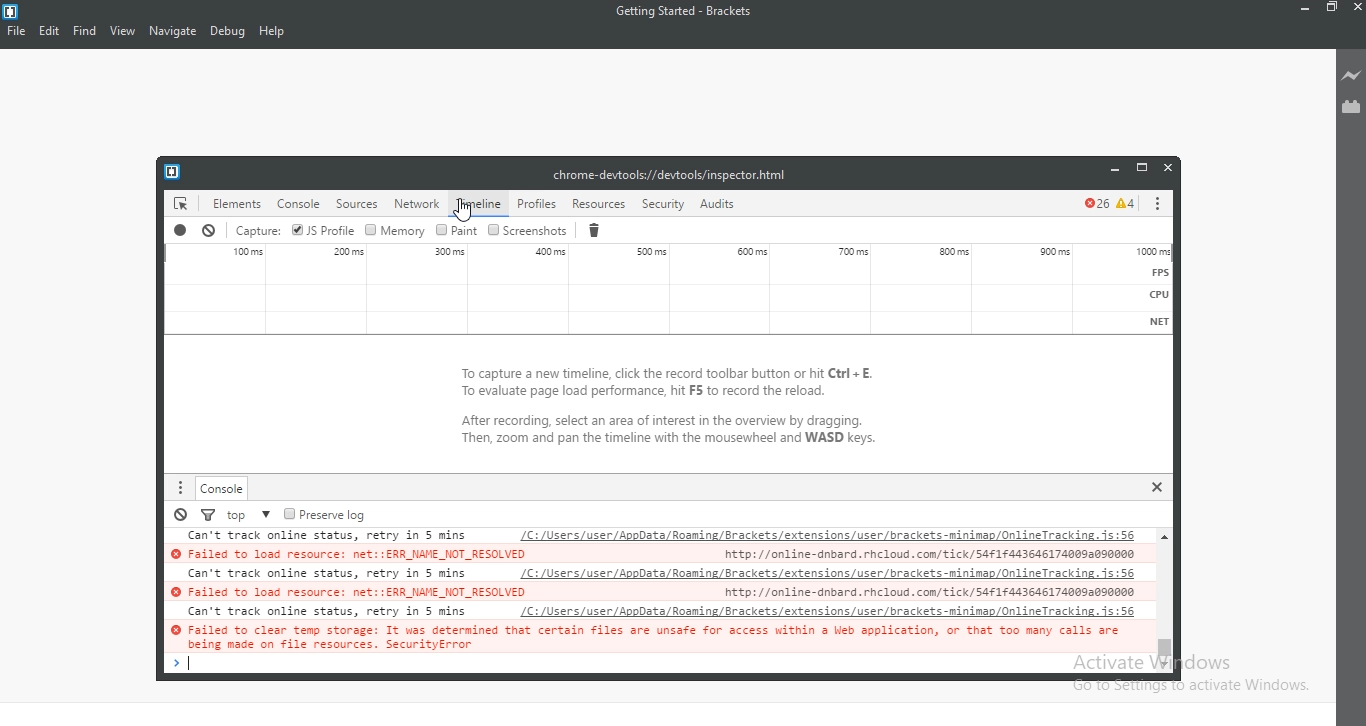  What do you see at coordinates (395, 230) in the screenshot?
I see `Memory` at bounding box center [395, 230].